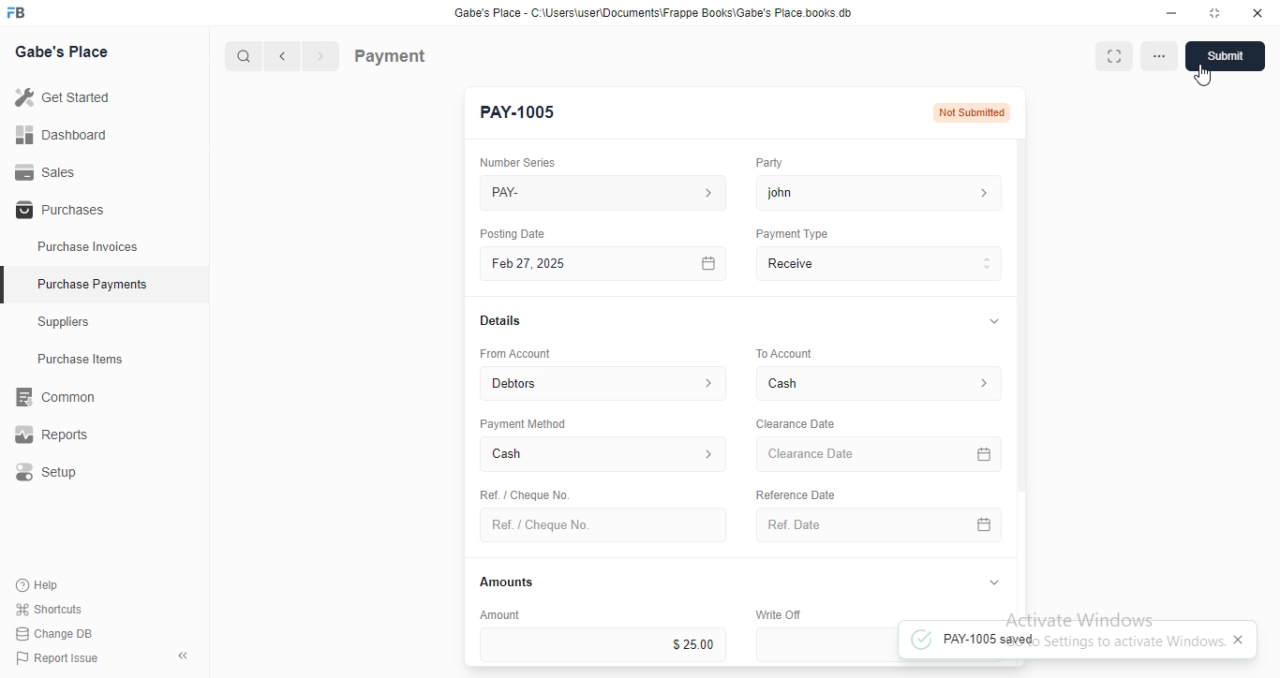  What do you see at coordinates (61, 135) in the screenshot?
I see `Dashboard` at bounding box center [61, 135].